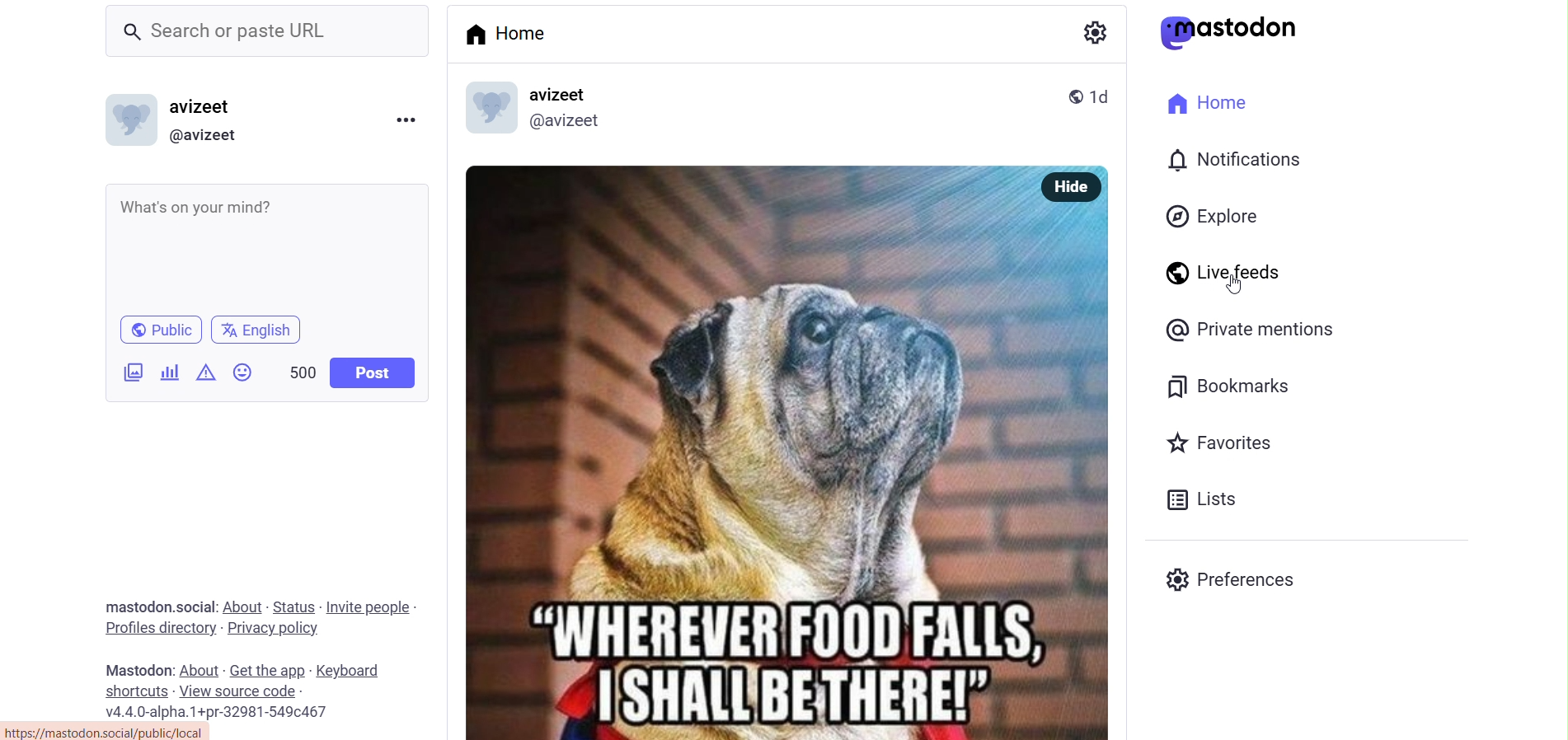 Image resolution: width=1568 pixels, height=740 pixels. Describe the element at coordinates (376, 372) in the screenshot. I see `post` at that location.